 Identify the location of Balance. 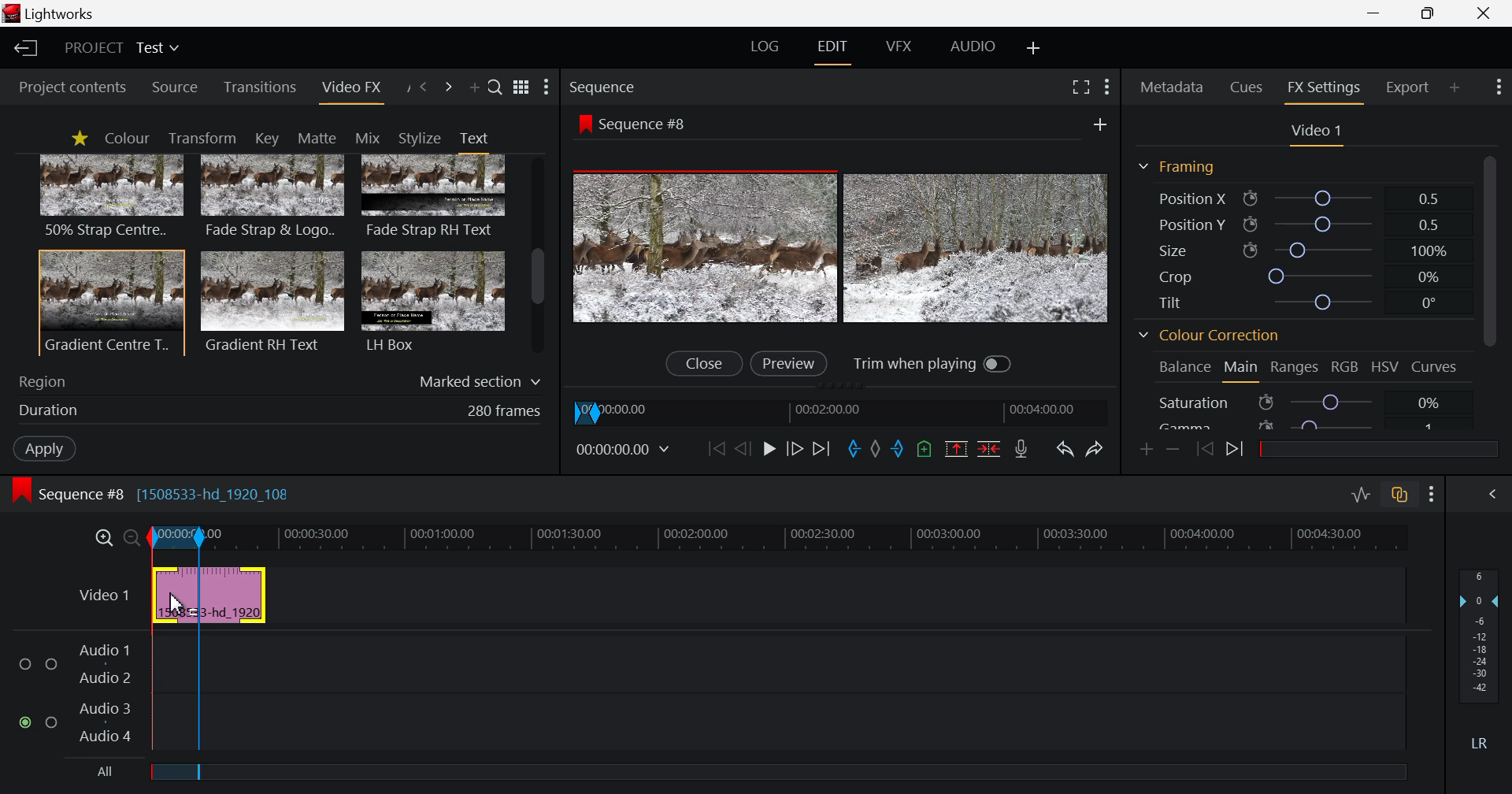
(1184, 366).